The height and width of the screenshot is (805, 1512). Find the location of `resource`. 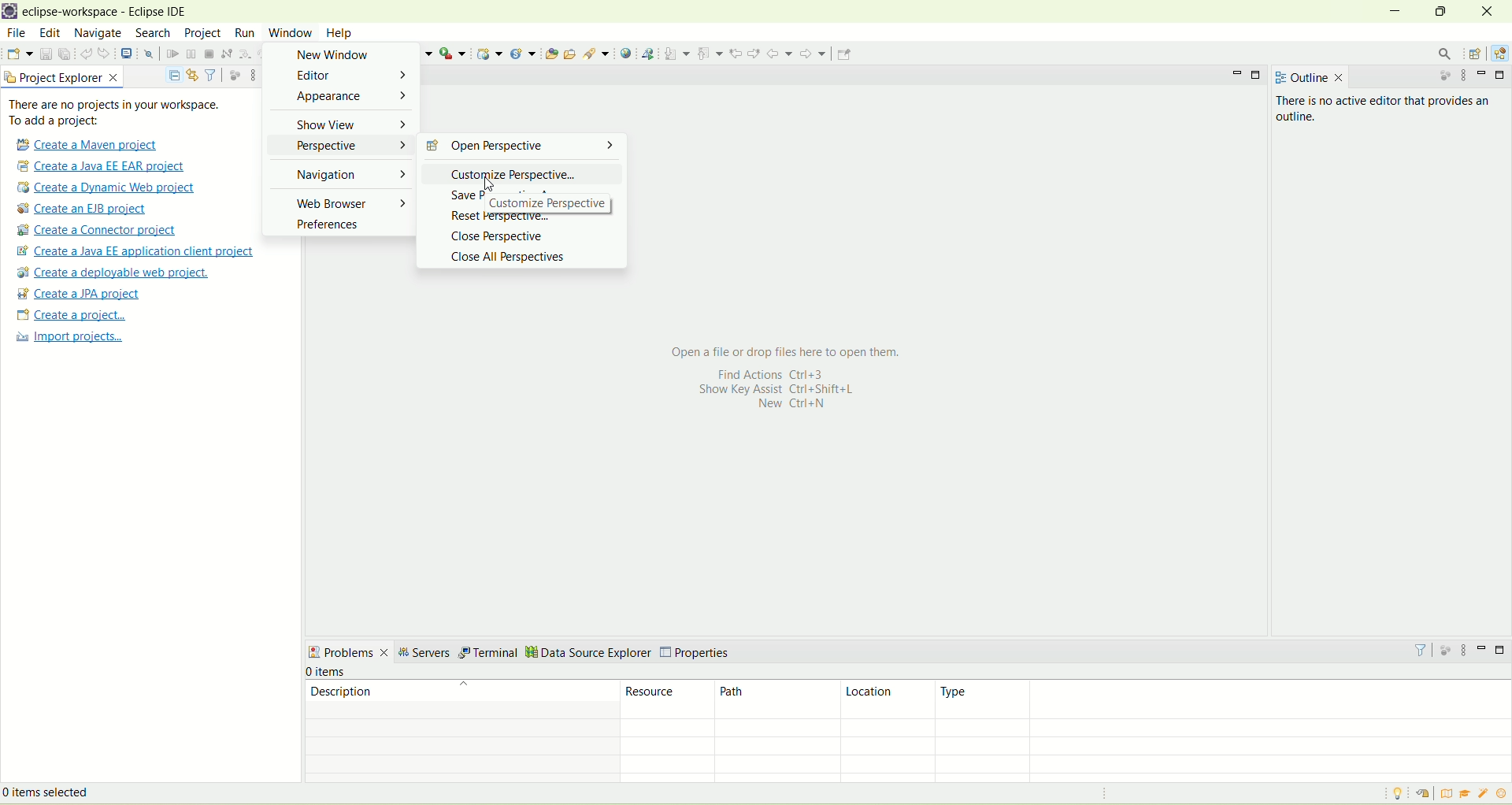

resource is located at coordinates (669, 699).